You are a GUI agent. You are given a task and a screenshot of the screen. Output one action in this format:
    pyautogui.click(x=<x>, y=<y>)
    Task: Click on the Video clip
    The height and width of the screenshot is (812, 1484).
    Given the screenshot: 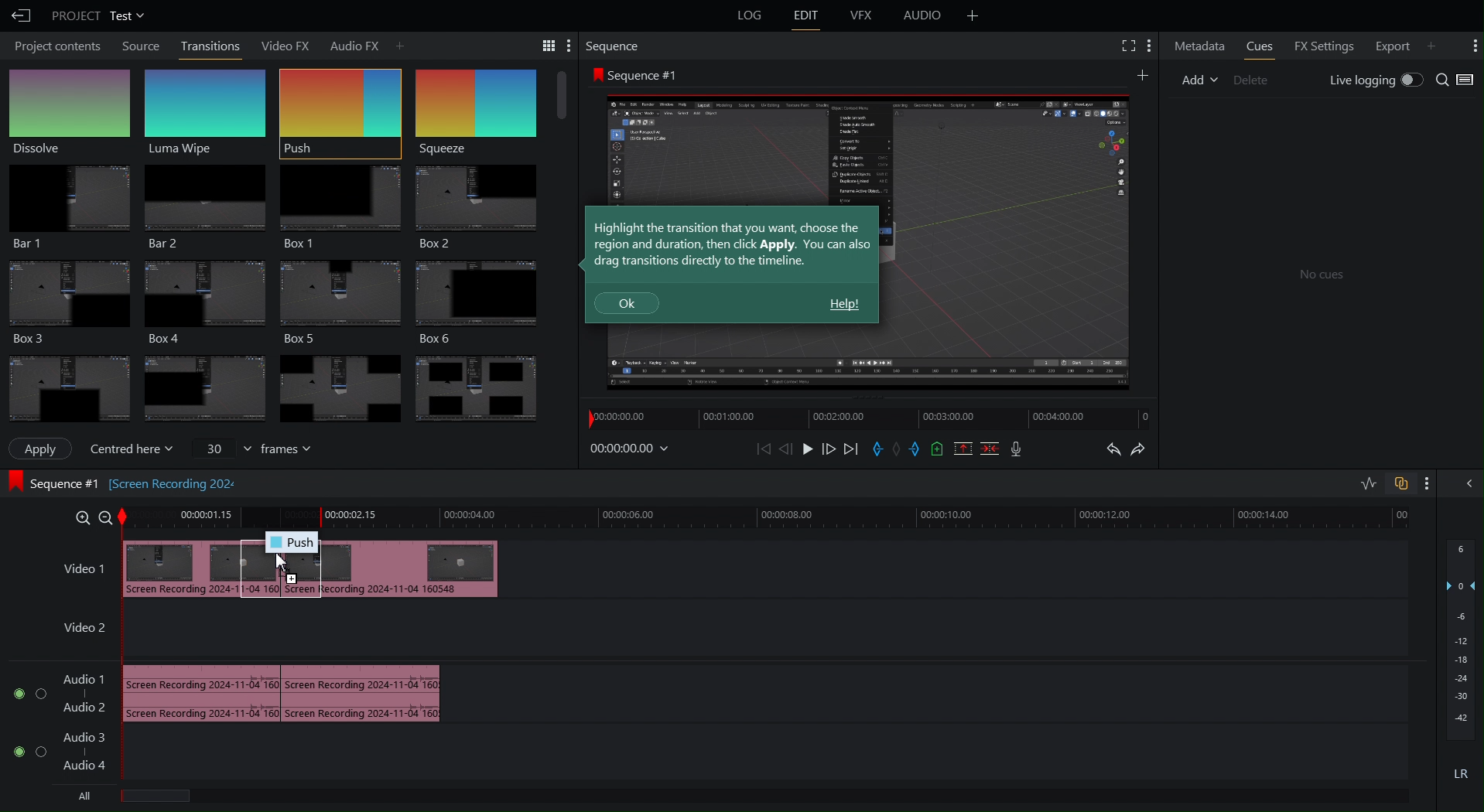 What is the action you would take?
    pyautogui.click(x=193, y=570)
    